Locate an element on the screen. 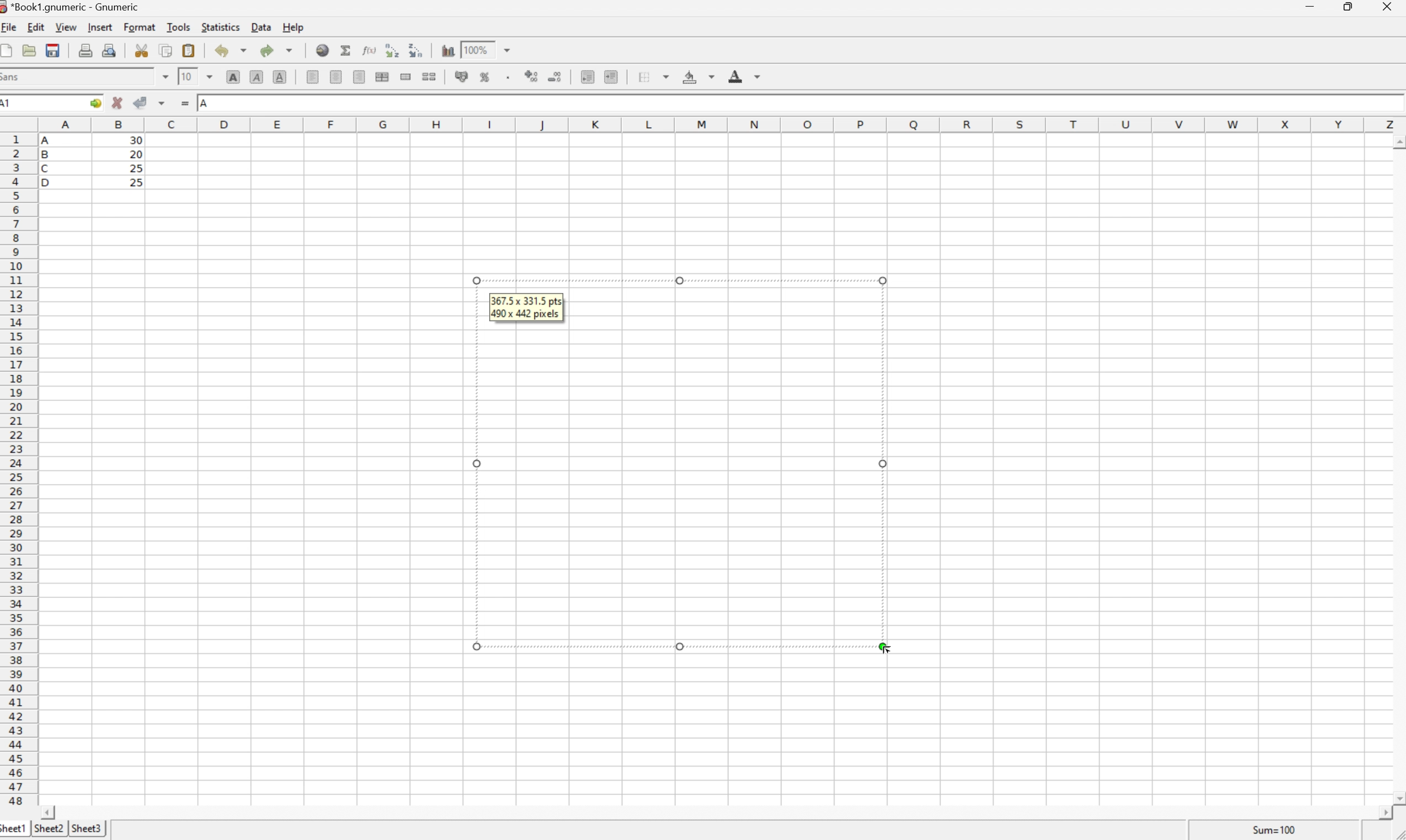  Decrease indent, and align the contents to the left is located at coordinates (587, 78).